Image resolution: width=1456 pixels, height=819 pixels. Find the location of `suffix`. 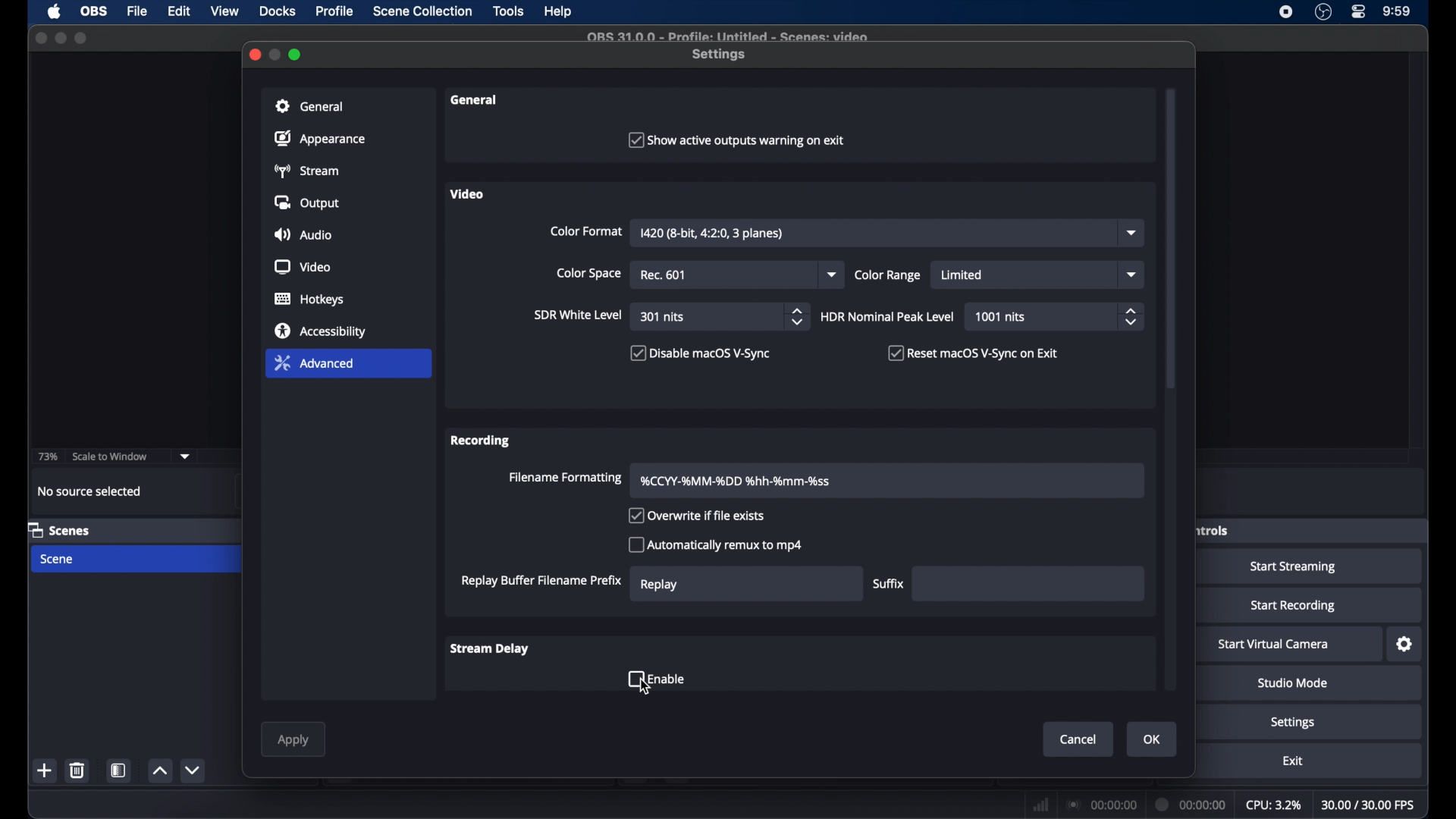

suffix is located at coordinates (889, 584).